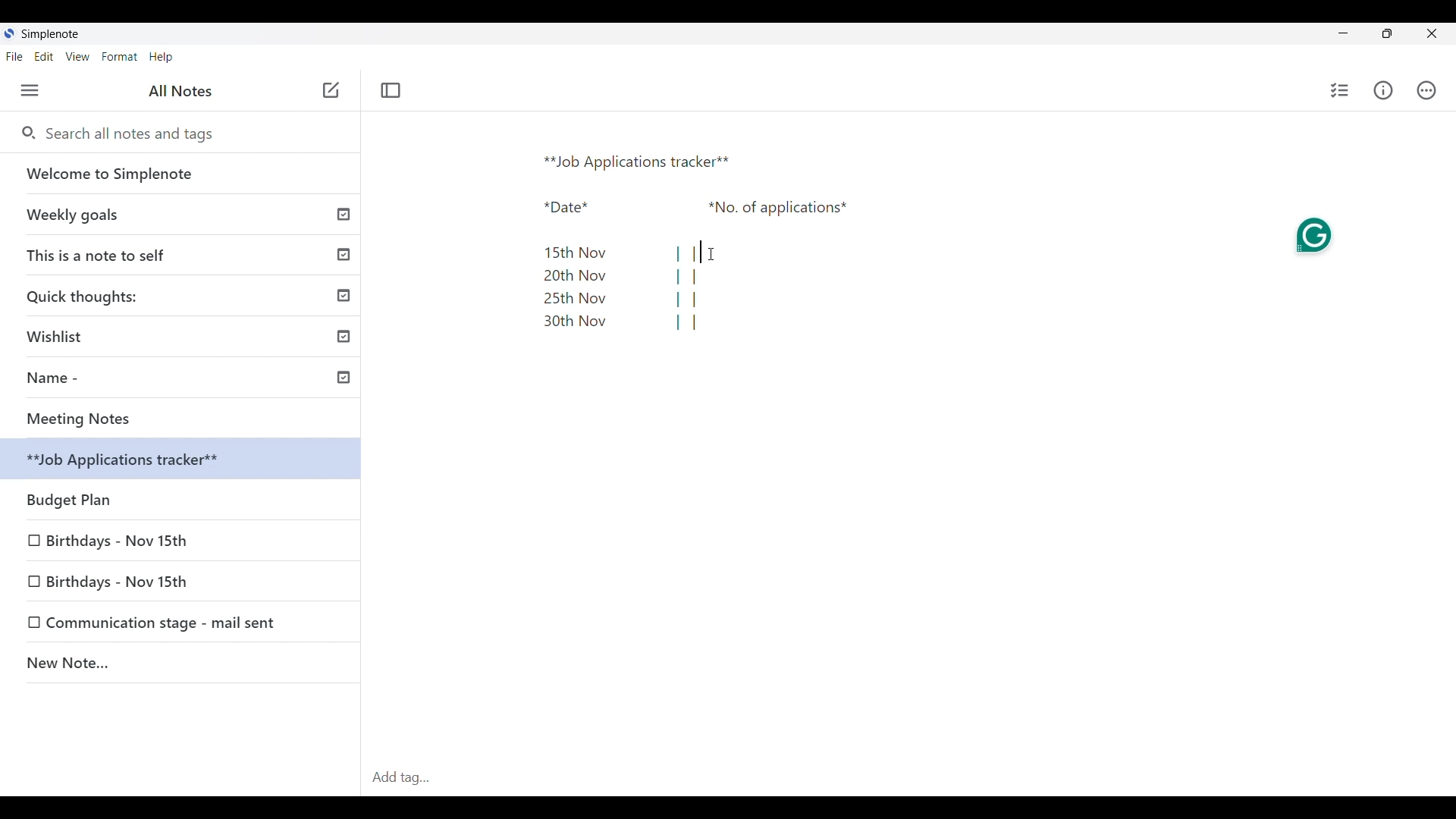 Image resolution: width=1456 pixels, height=819 pixels. Describe the element at coordinates (1432, 33) in the screenshot. I see `Close interface` at that location.